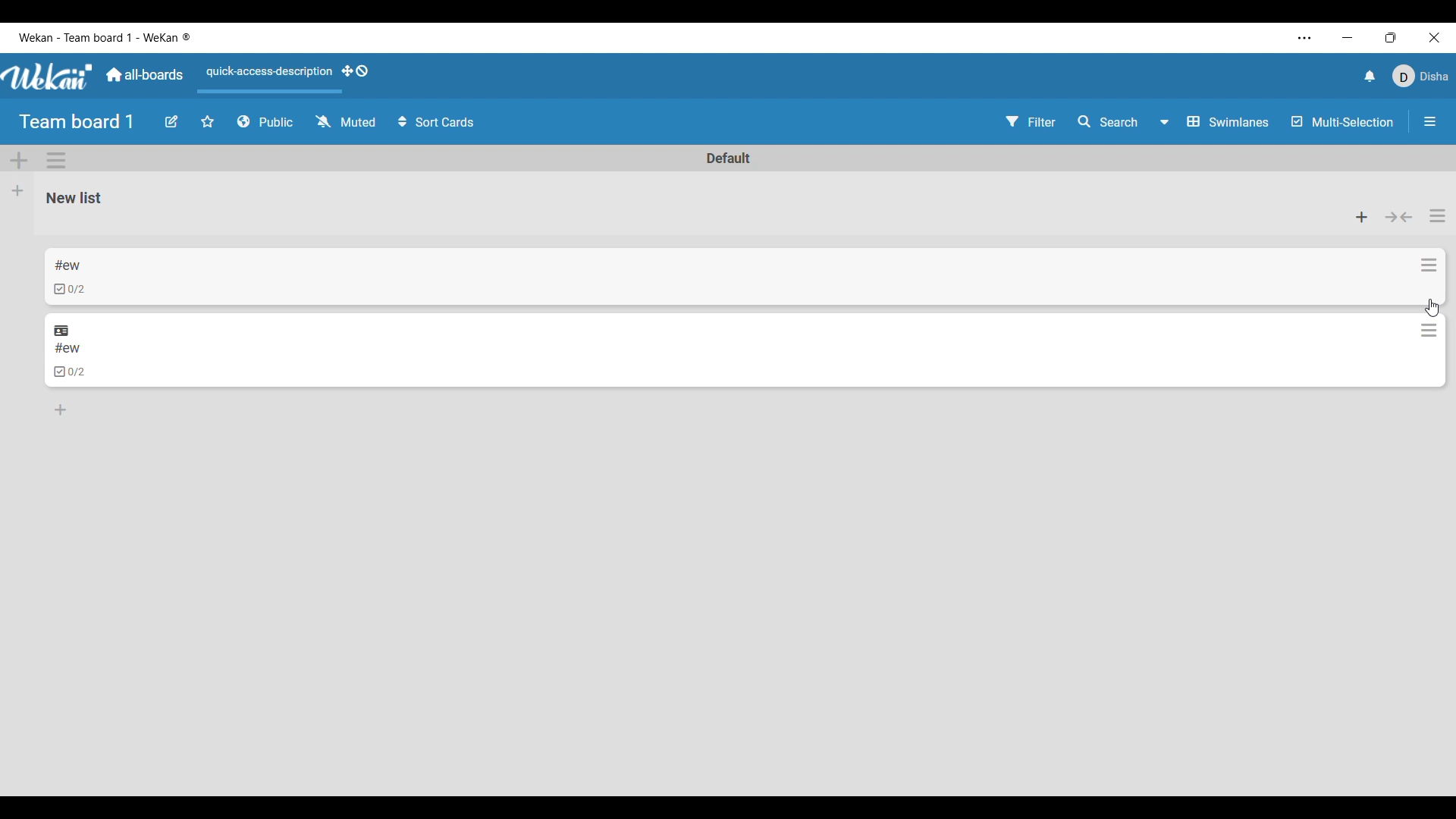 Image resolution: width=1456 pixels, height=819 pixels. What do you see at coordinates (1370, 76) in the screenshot?
I see `Notifications` at bounding box center [1370, 76].